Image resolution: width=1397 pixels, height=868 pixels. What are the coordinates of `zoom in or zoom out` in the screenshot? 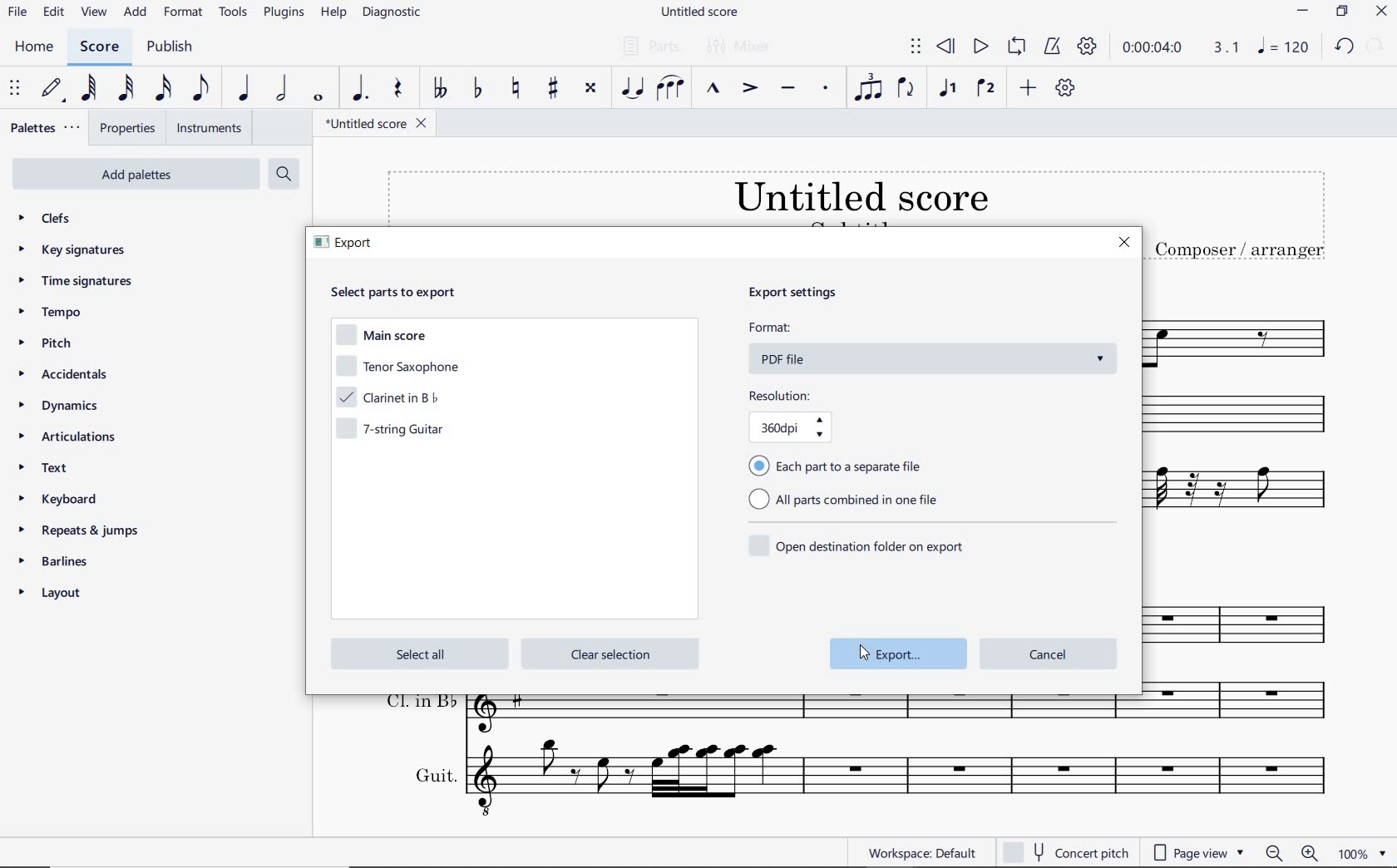 It's located at (1291, 852).